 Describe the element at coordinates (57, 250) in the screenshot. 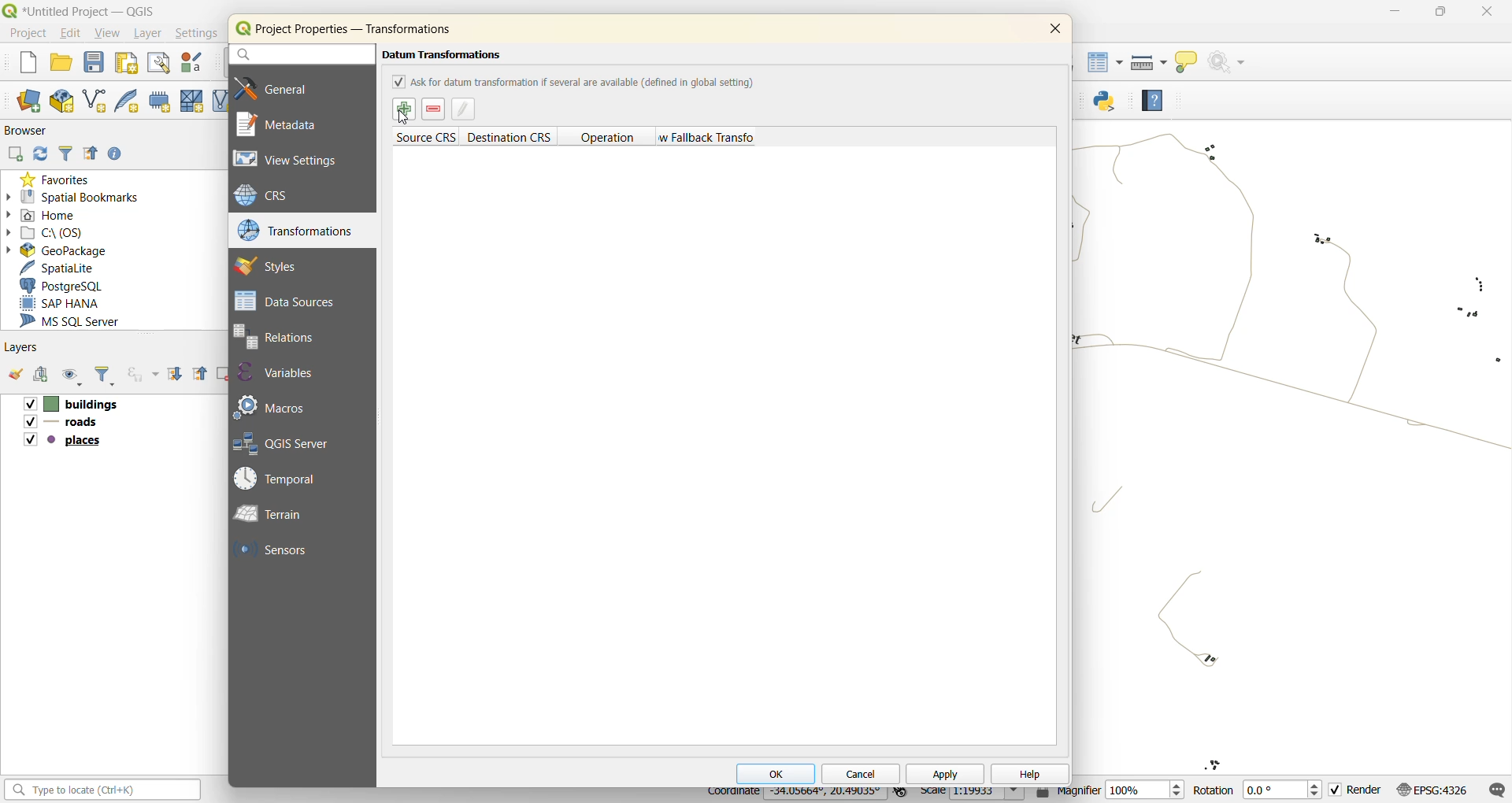

I see `geopackage` at that location.